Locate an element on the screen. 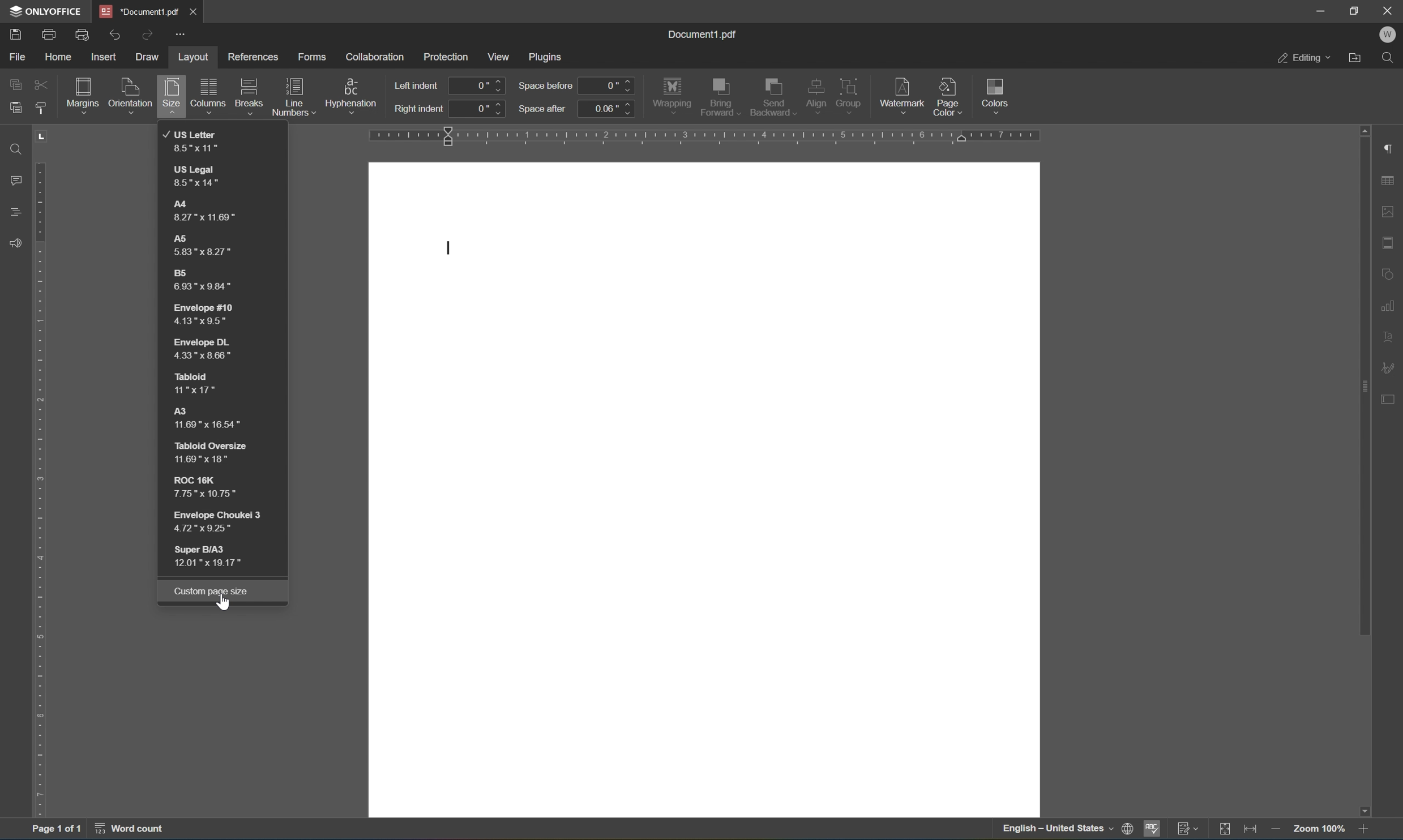 The width and height of the screenshot is (1403, 840). A5 is located at coordinates (203, 246).